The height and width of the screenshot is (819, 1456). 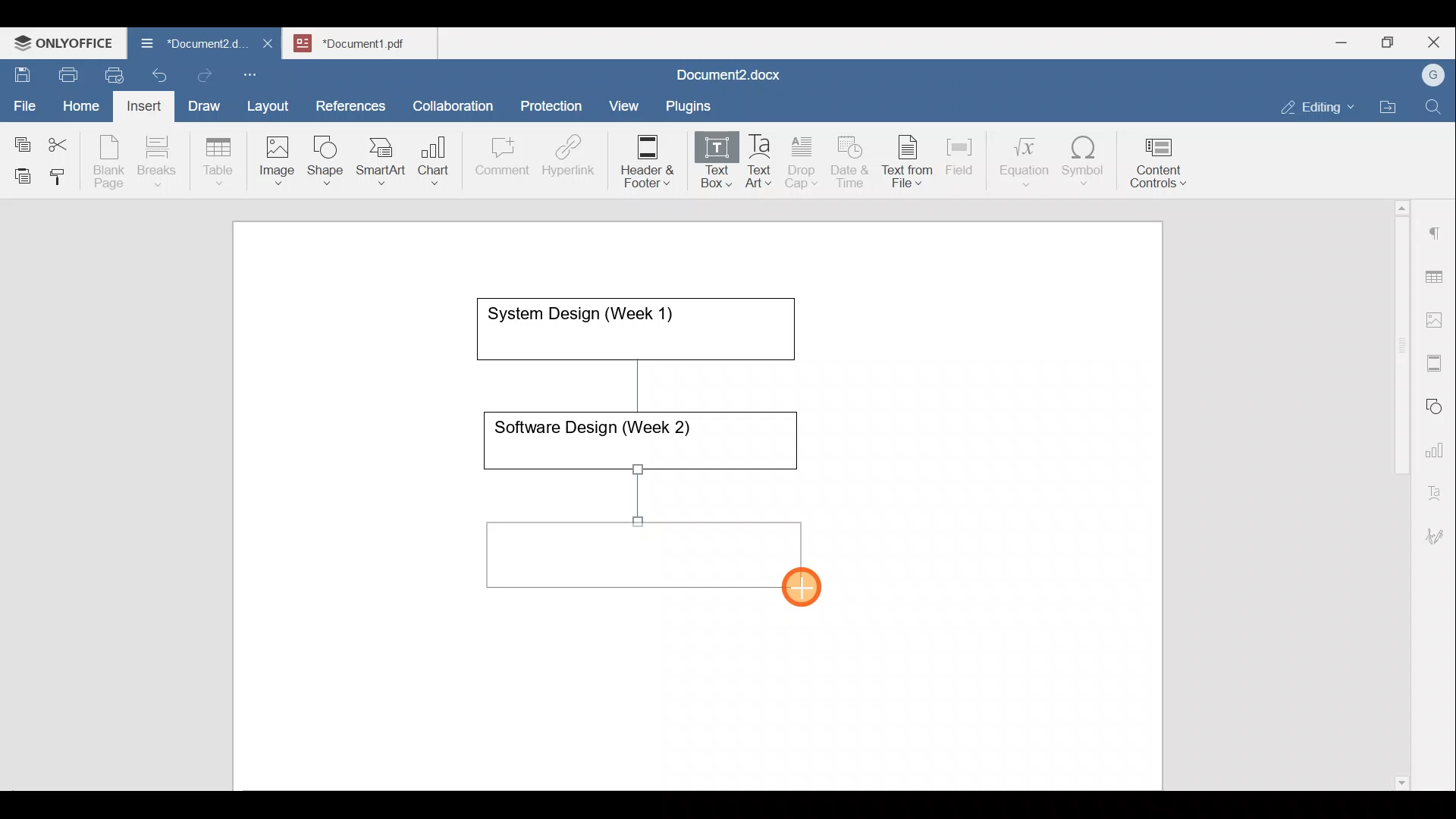 What do you see at coordinates (556, 104) in the screenshot?
I see `Protection` at bounding box center [556, 104].